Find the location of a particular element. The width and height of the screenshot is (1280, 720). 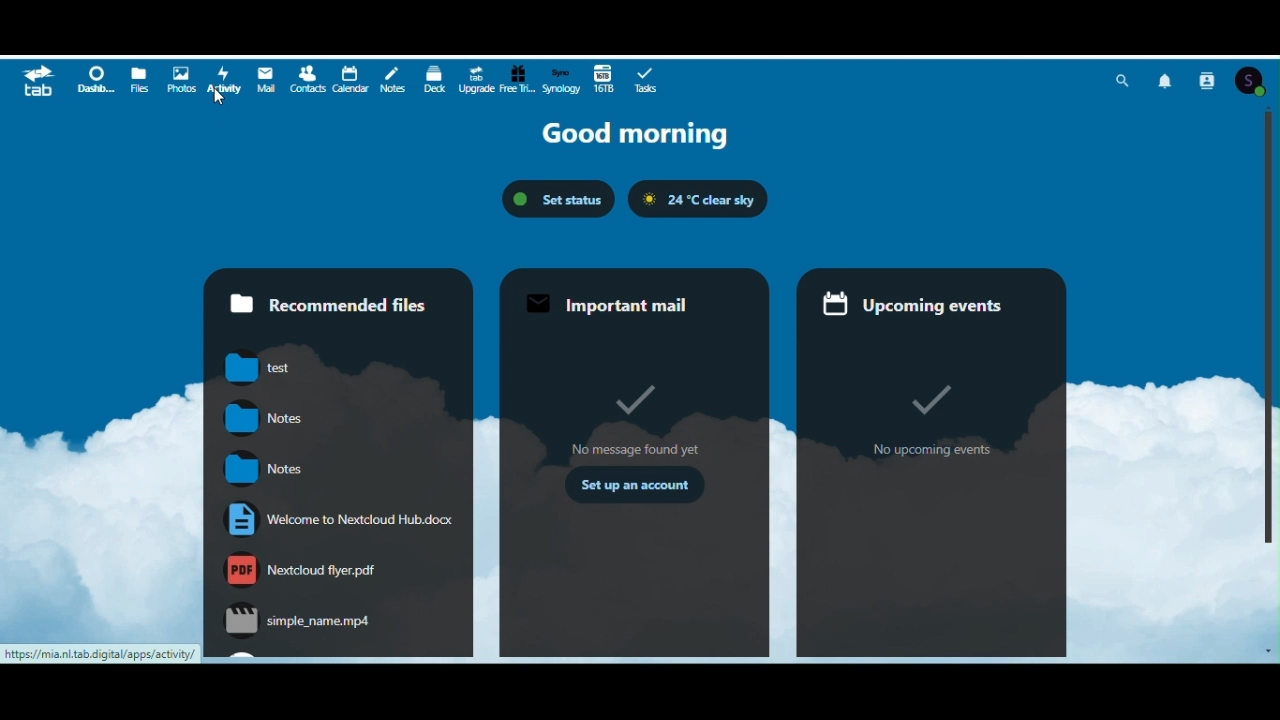

Notes is located at coordinates (391, 80).